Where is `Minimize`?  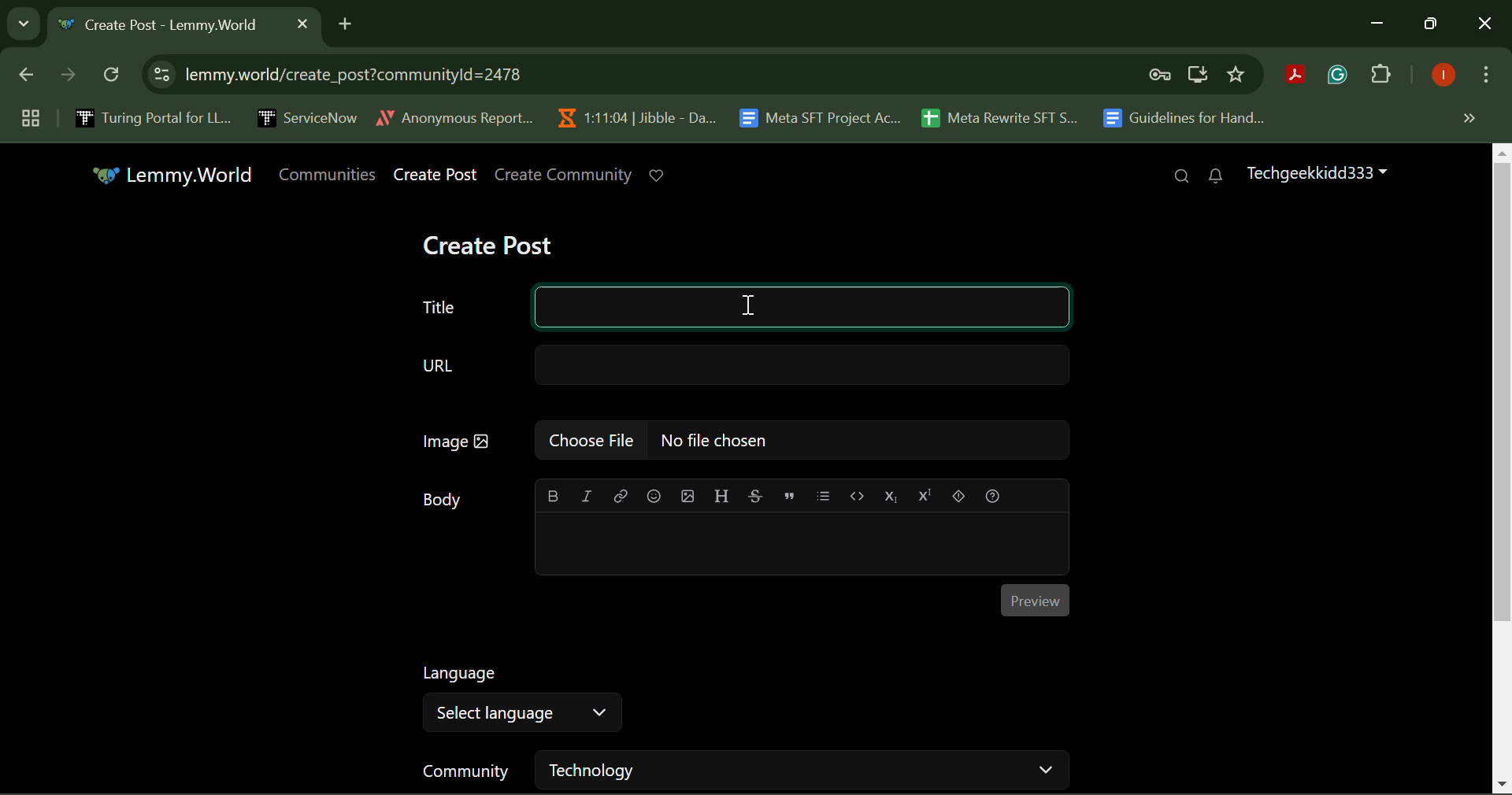 Minimize is located at coordinates (1433, 24).